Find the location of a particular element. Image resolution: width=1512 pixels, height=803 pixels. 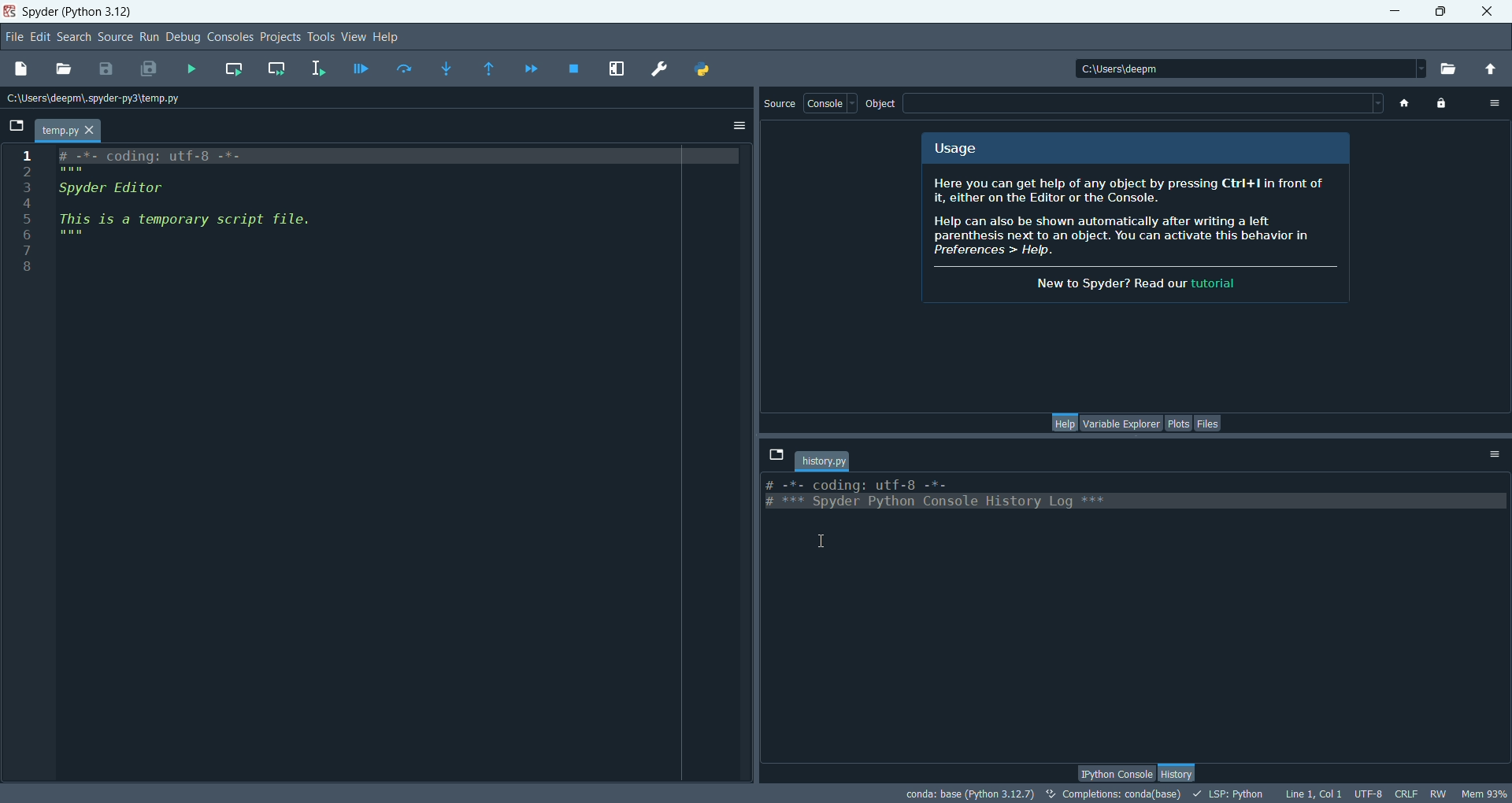

location is located at coordinates (102, 99).